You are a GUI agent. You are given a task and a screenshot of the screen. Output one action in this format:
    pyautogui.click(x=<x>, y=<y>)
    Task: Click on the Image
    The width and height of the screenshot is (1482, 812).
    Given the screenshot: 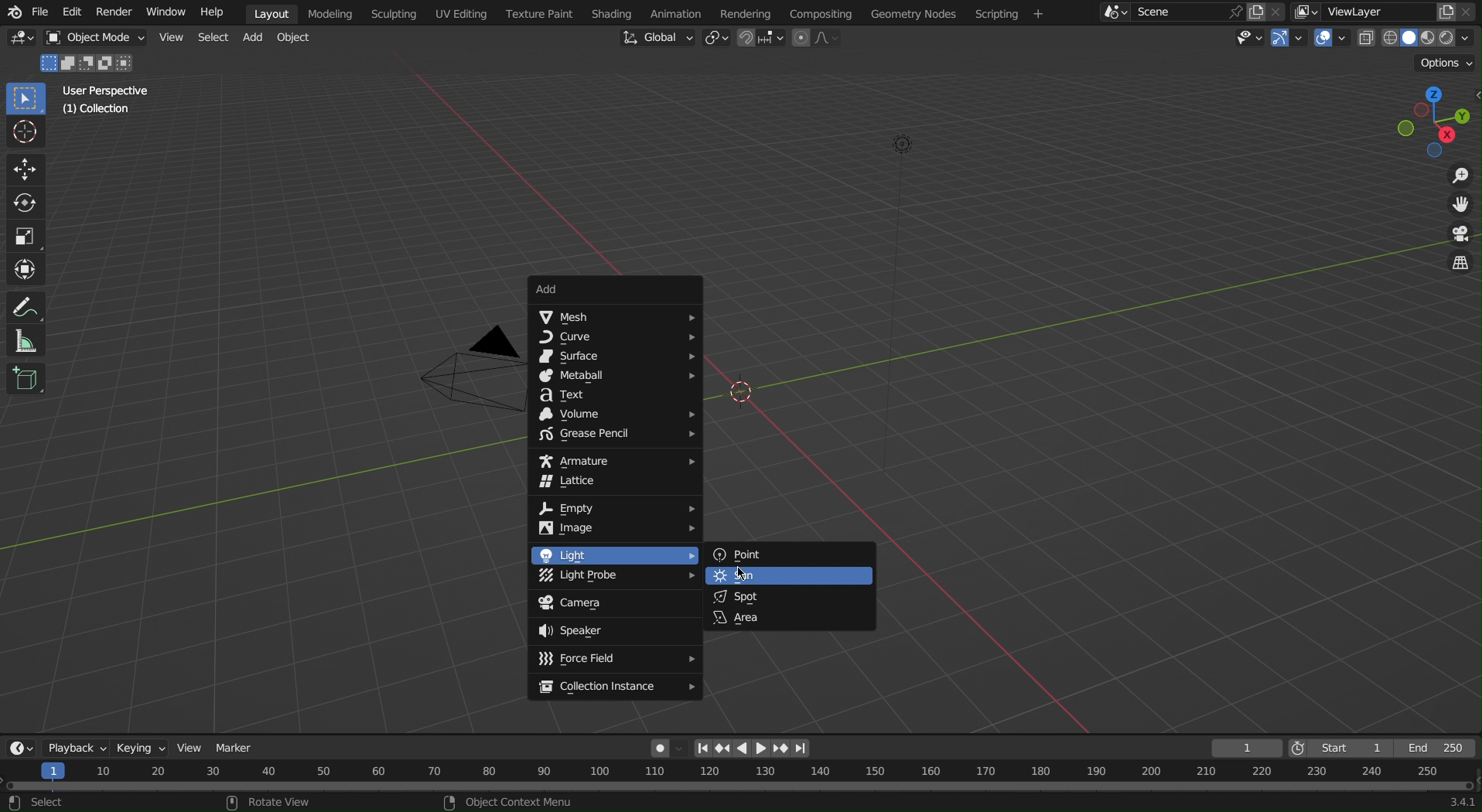 What is the action you would take?
    pyautogui.click(x=616, y=530)
    